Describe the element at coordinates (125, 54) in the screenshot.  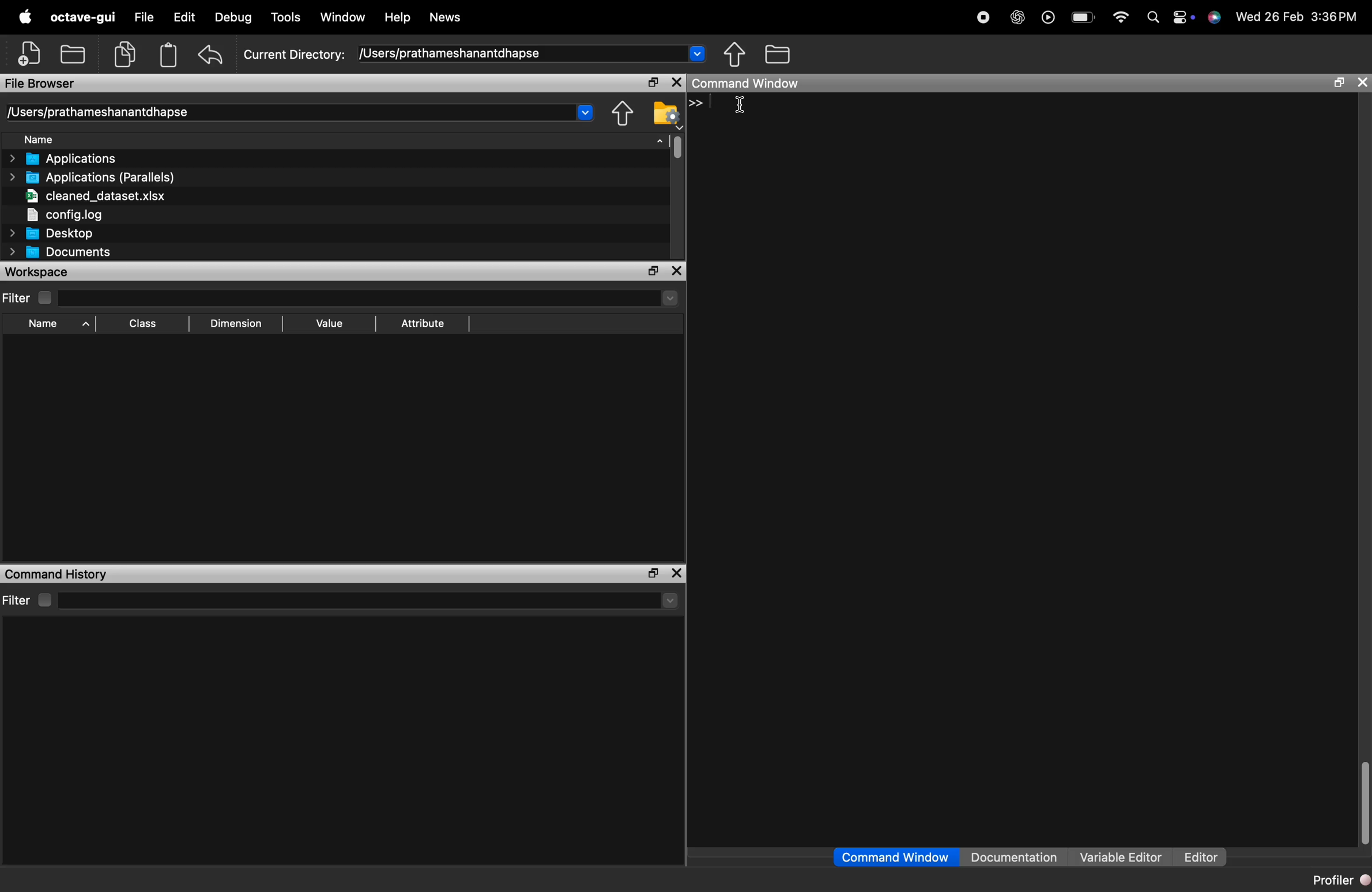
I see `copy` at that location.